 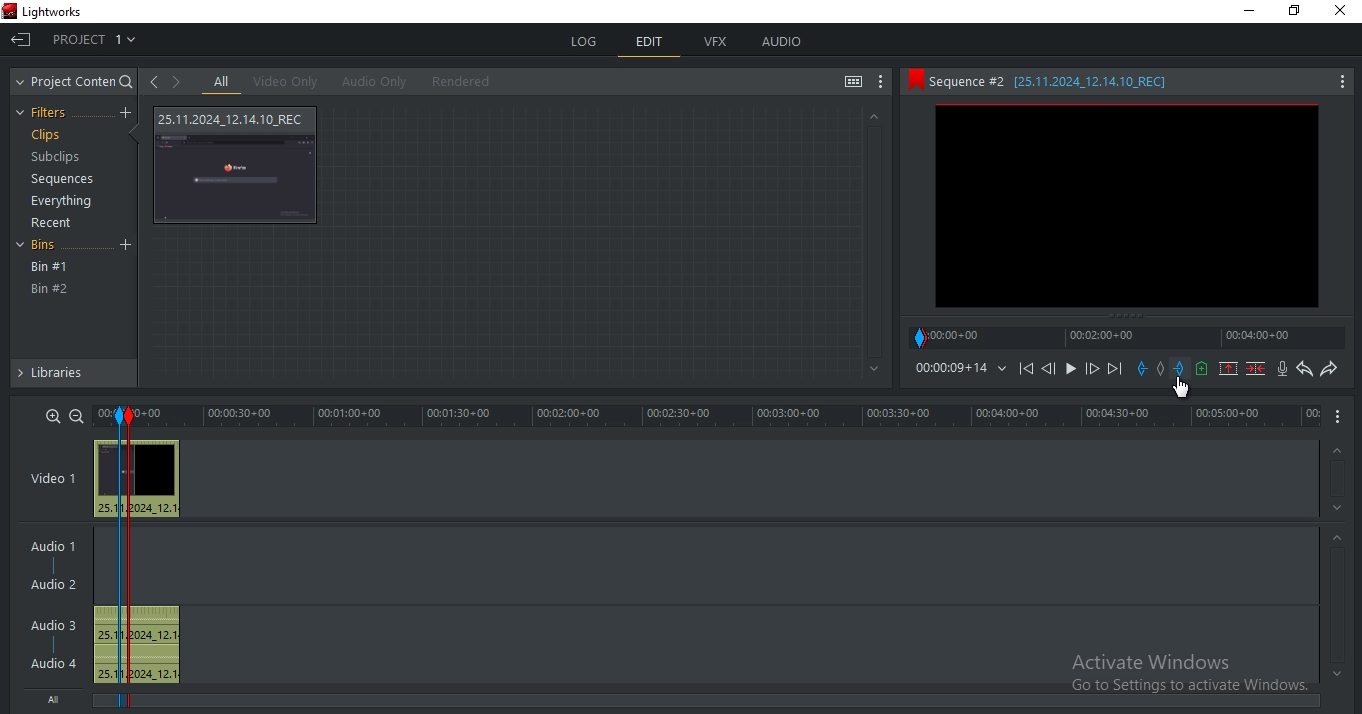 What do you see at coordinates (1182, 388) in the screenshot?
I see `Cursor` at bounding box center [1182, 388].